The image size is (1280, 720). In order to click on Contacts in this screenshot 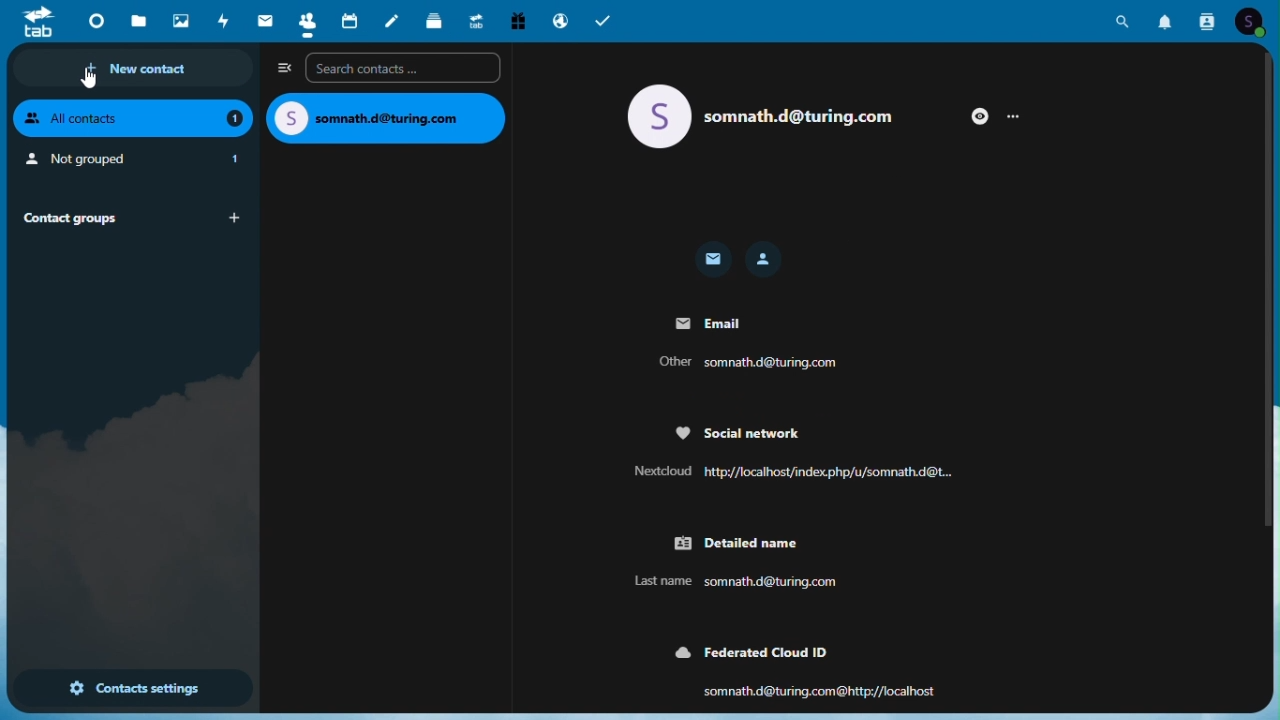, I will do `click(303, 22)`.